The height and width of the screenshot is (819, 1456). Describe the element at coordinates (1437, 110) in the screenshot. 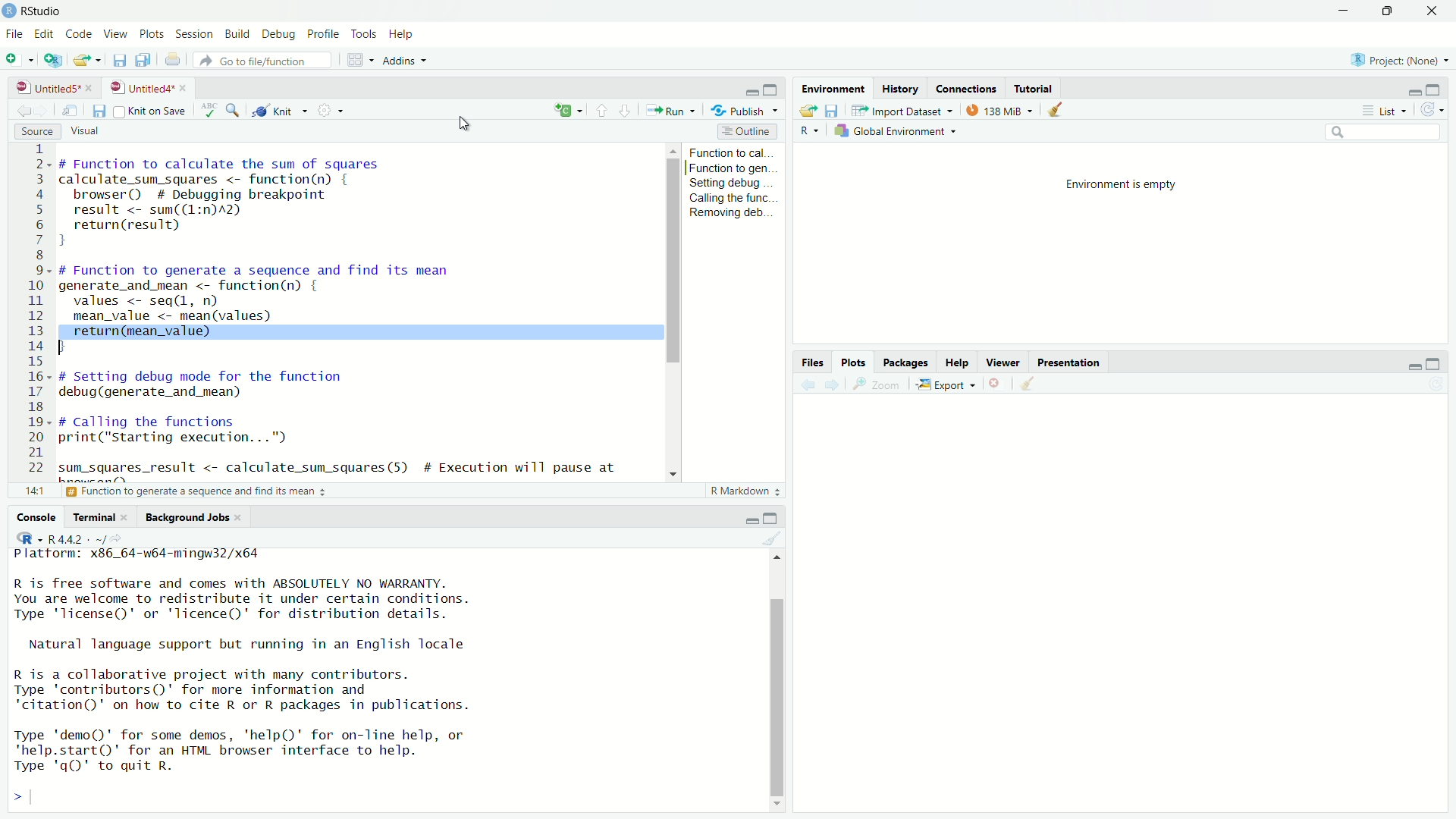

I see `refresh the list of objects` at that location.